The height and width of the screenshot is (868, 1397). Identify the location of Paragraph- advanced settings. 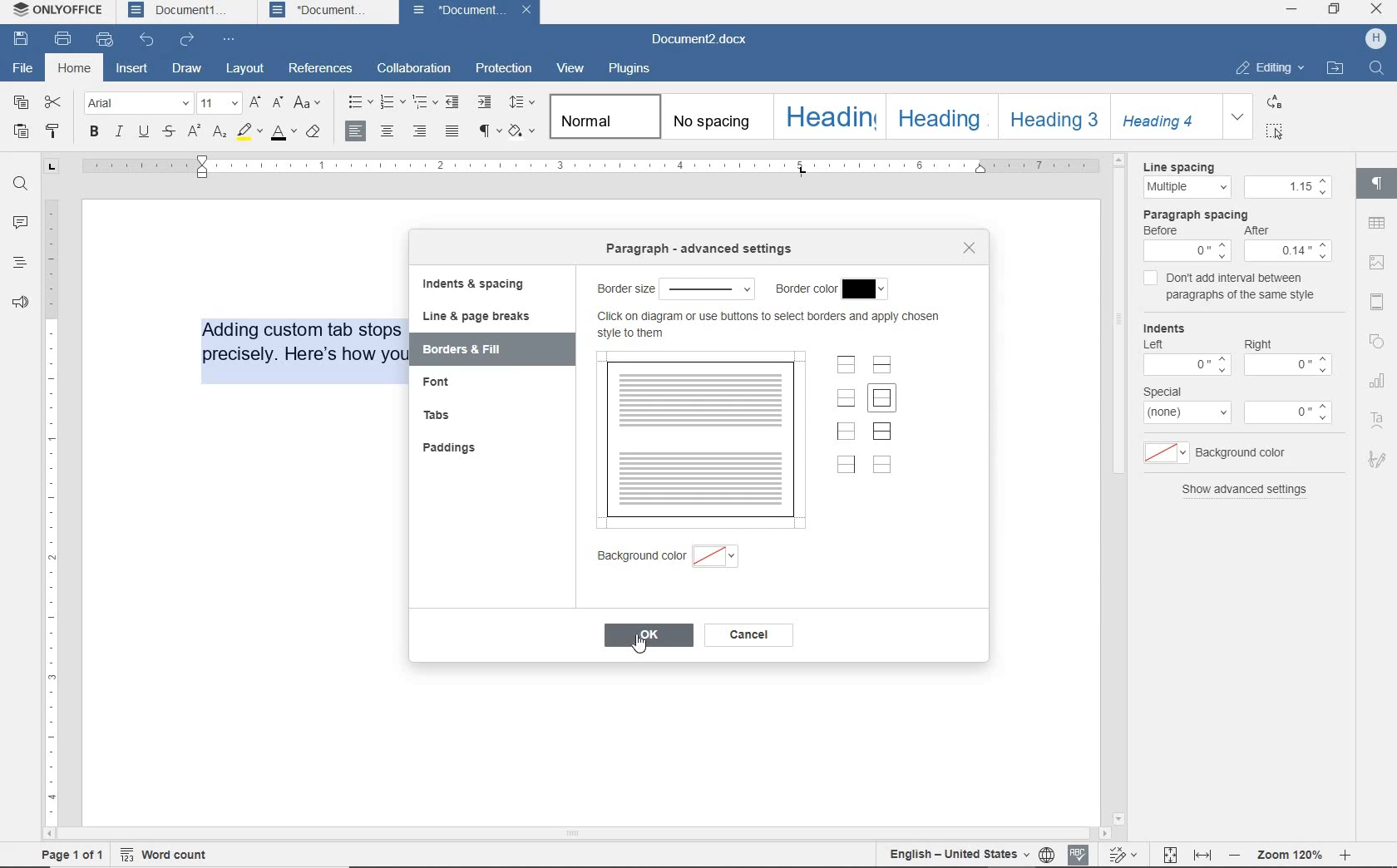
(692, 249).